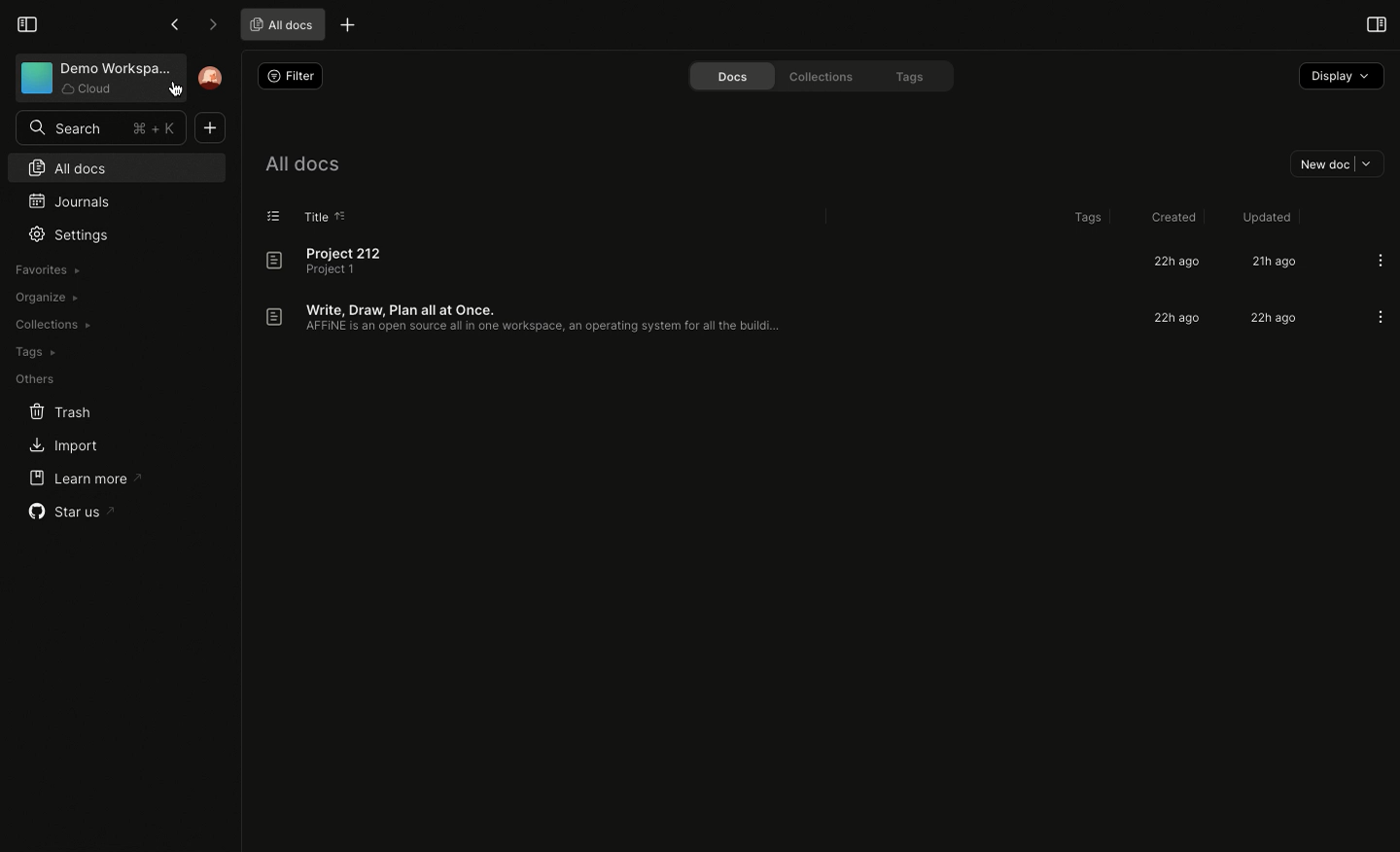 This screenshot has height=852, width=1400. I want to click on Tags, so click(1085, 218).